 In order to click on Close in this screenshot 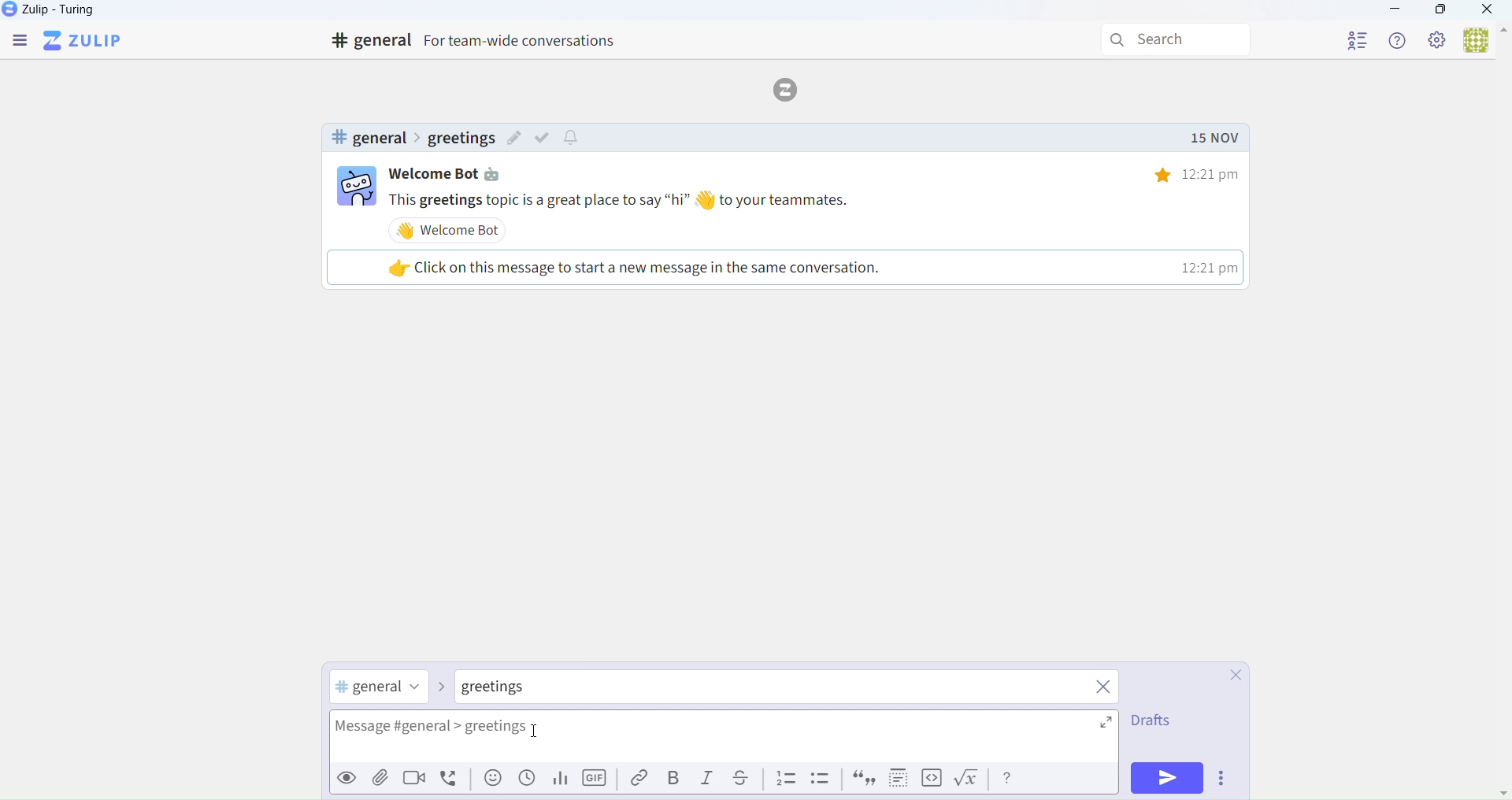, I will do `click(1228, 676)`.